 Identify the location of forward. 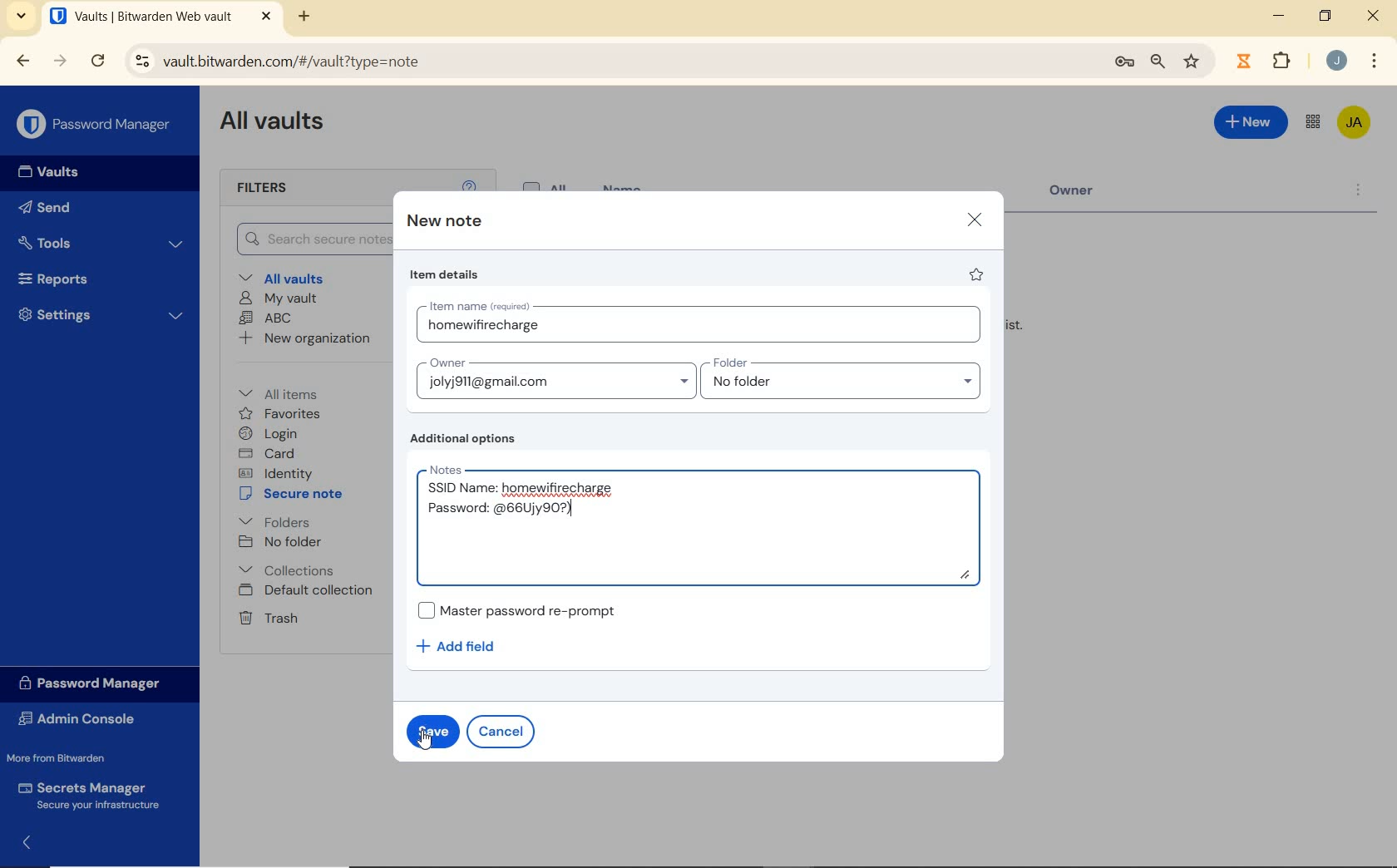
(60, 61).